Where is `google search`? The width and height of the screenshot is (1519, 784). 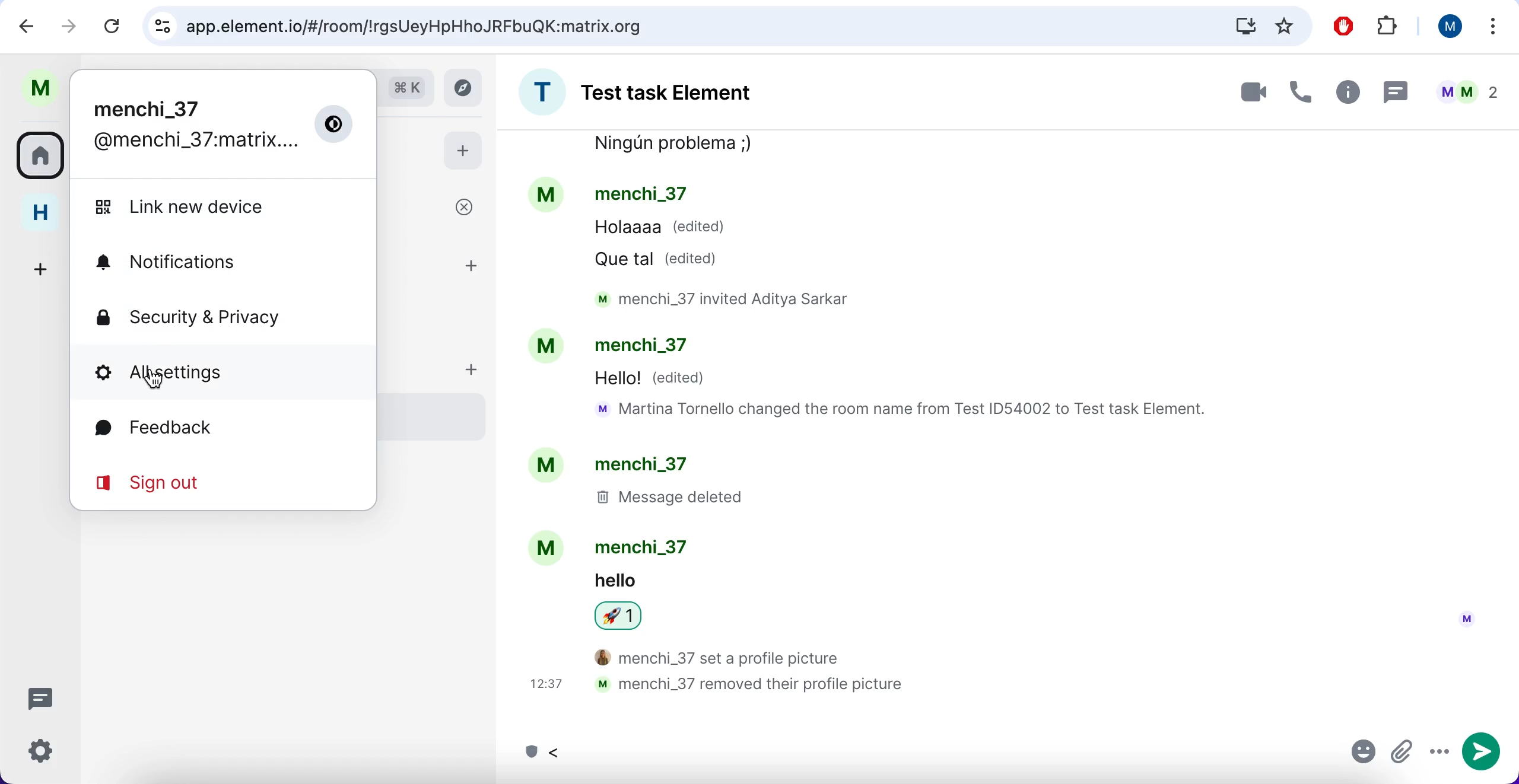 google search is located at coordinates (406, 89).